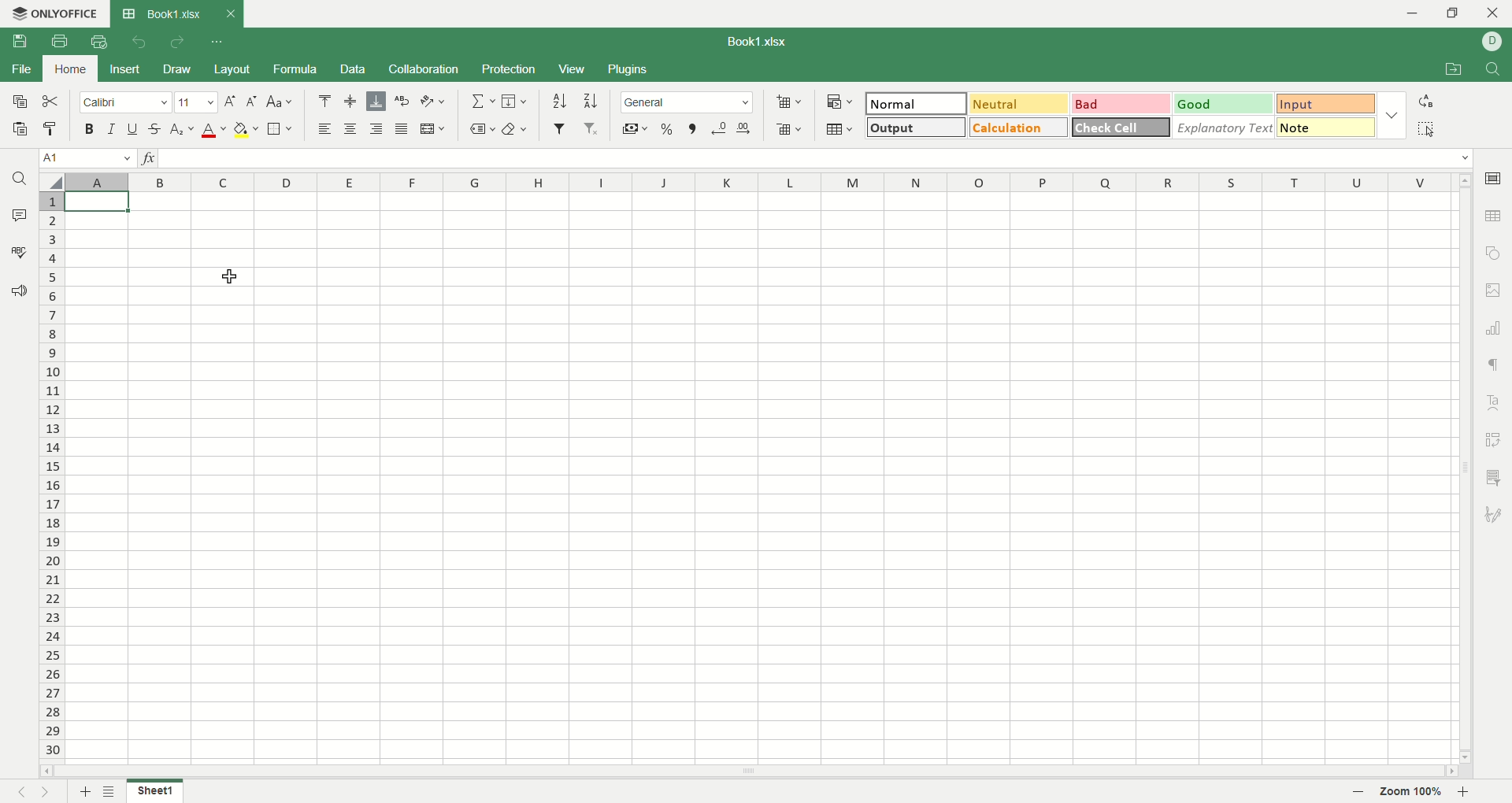 The width and height of the screenshot is (1512, 803). Describe the element at coordinates (20, 216) in the screenshot. I see `comments` at that location.